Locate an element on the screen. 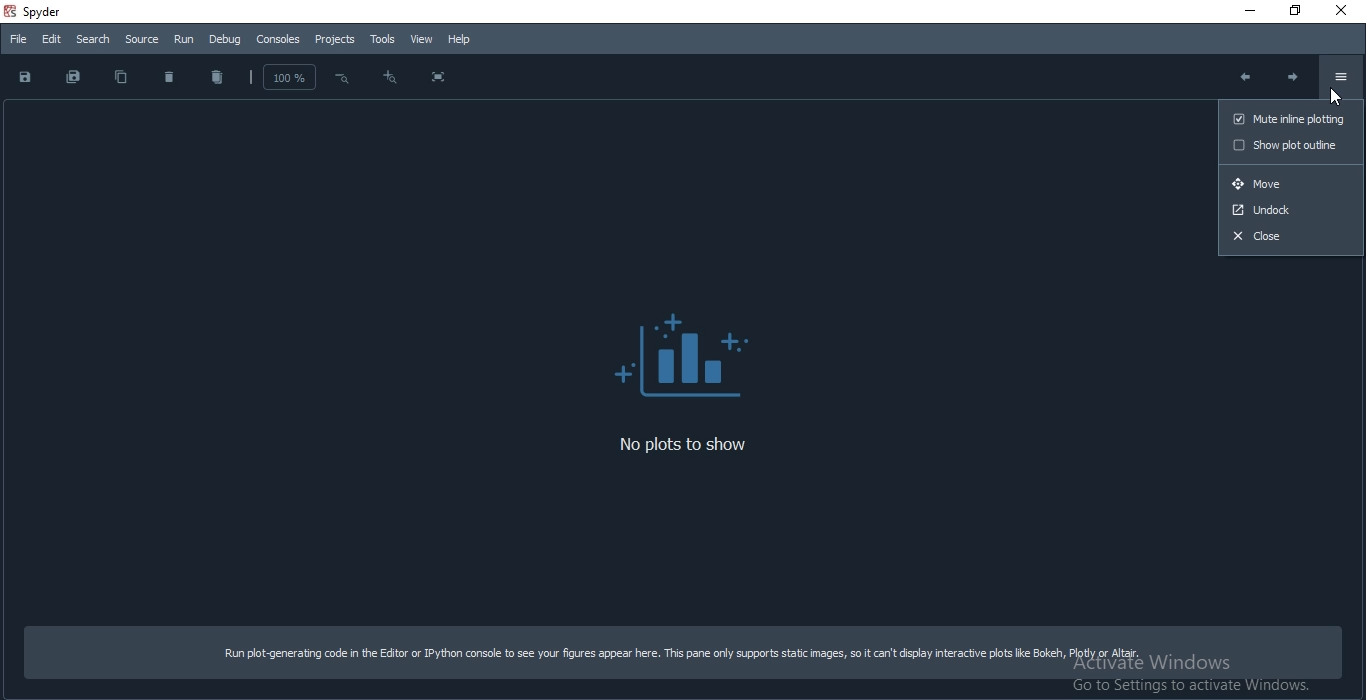  move is located at coordinates (1291, 183).